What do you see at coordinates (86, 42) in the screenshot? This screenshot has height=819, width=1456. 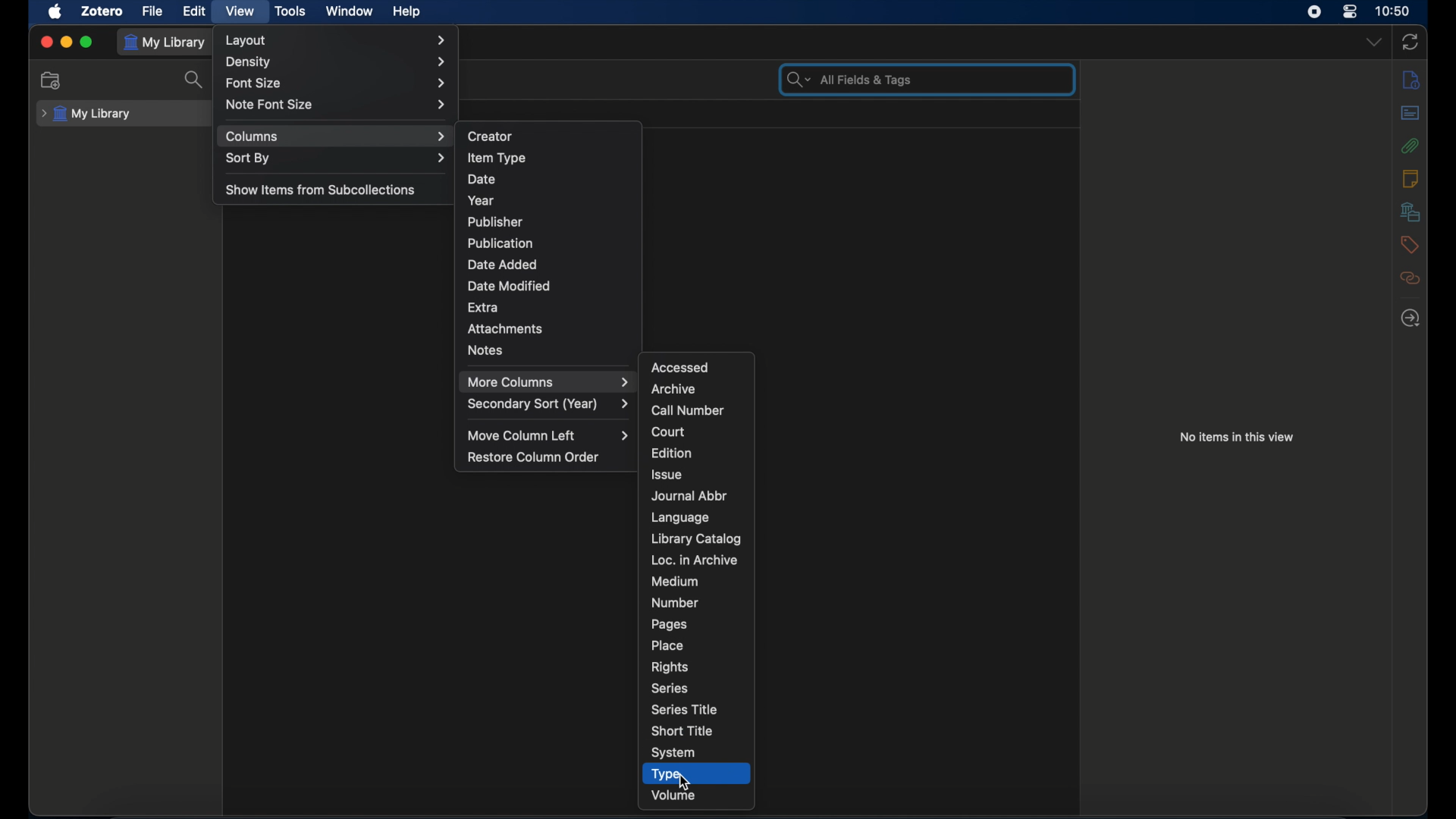 I see `maximize` at bounding box center [86, 42].